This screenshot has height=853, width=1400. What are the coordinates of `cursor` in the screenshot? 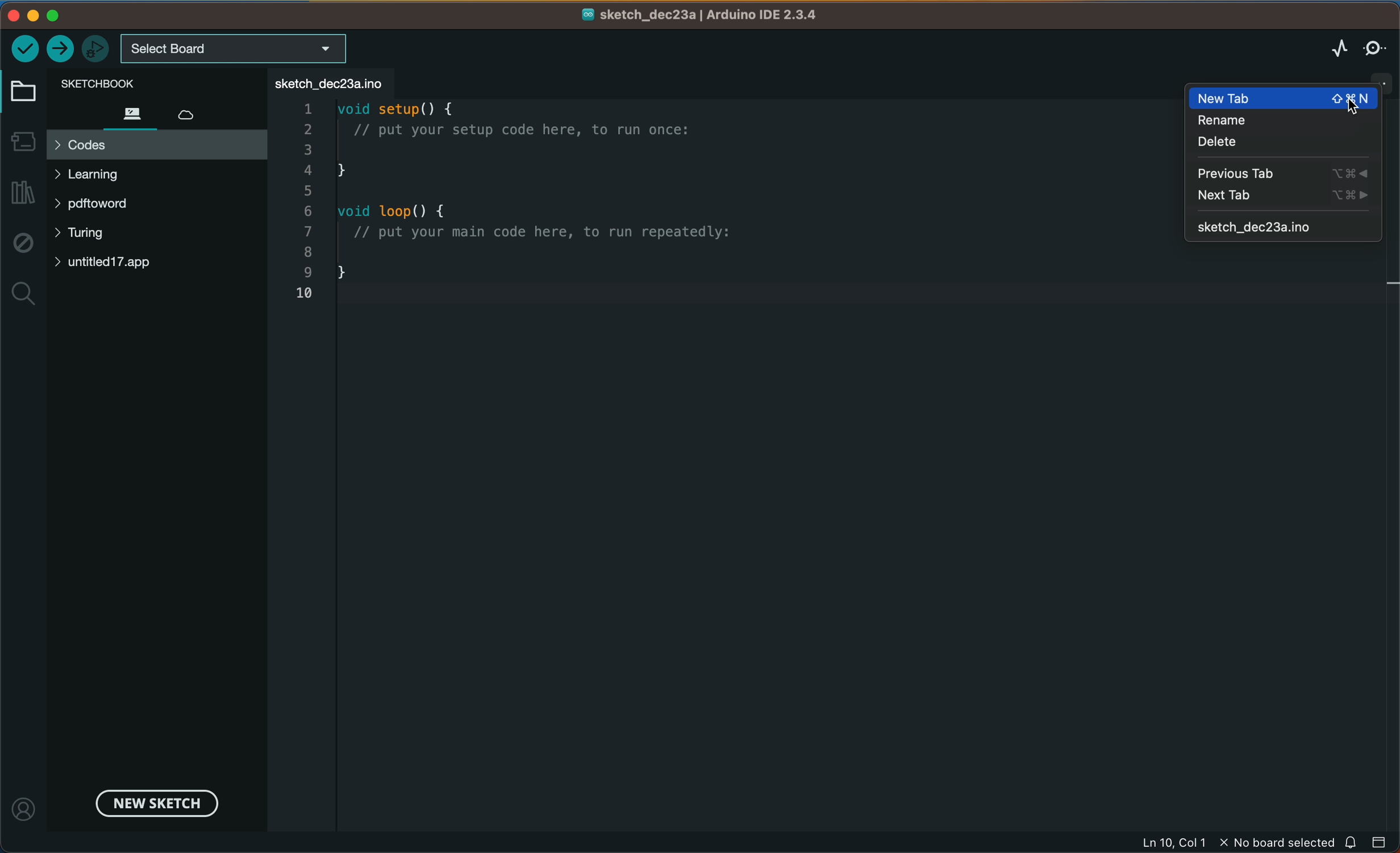 It's located at (1345, 105).